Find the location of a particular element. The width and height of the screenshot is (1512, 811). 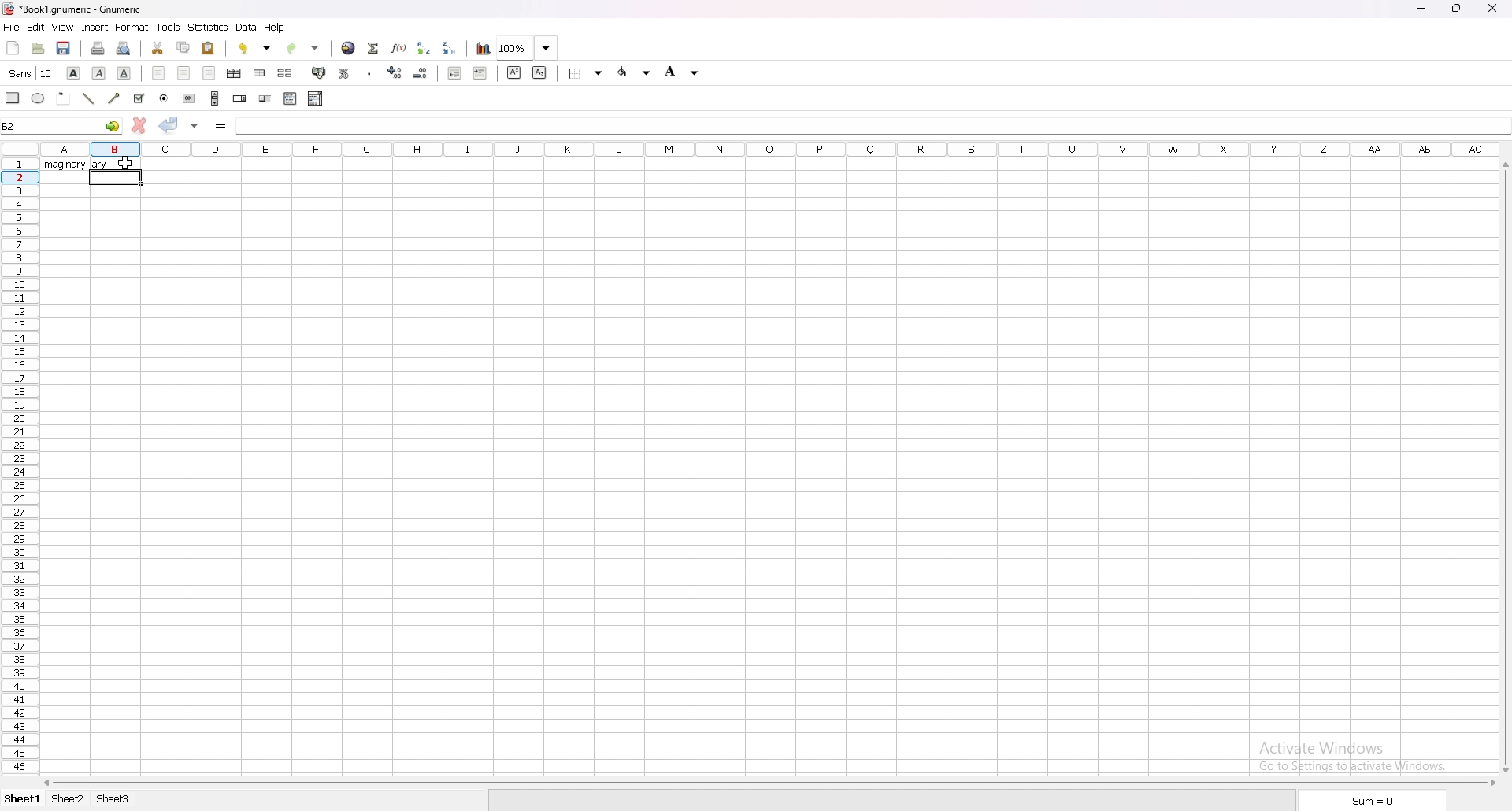

superscript is located at coordinates (514, 72).